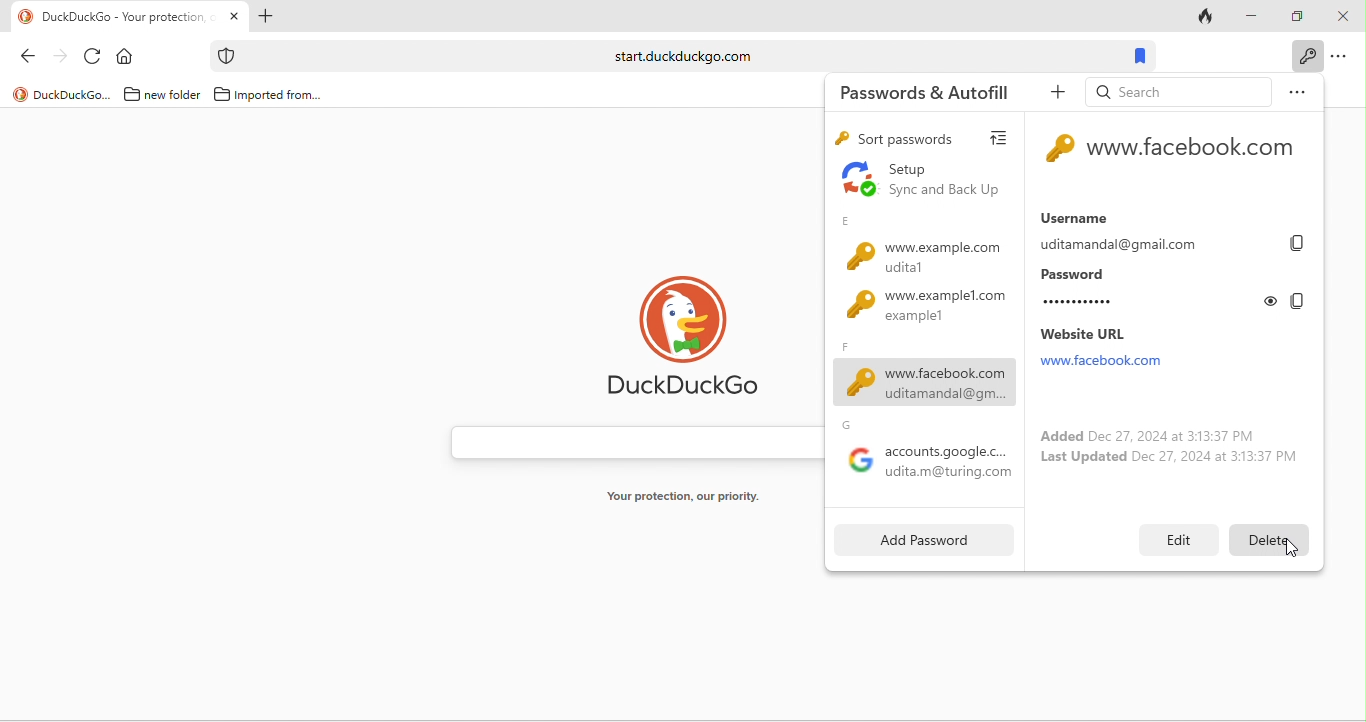 The image size is (1366, 722). Describe the element at coordinates (692, 497) in the screenshot. I see `your protection, our priority.` at that location.